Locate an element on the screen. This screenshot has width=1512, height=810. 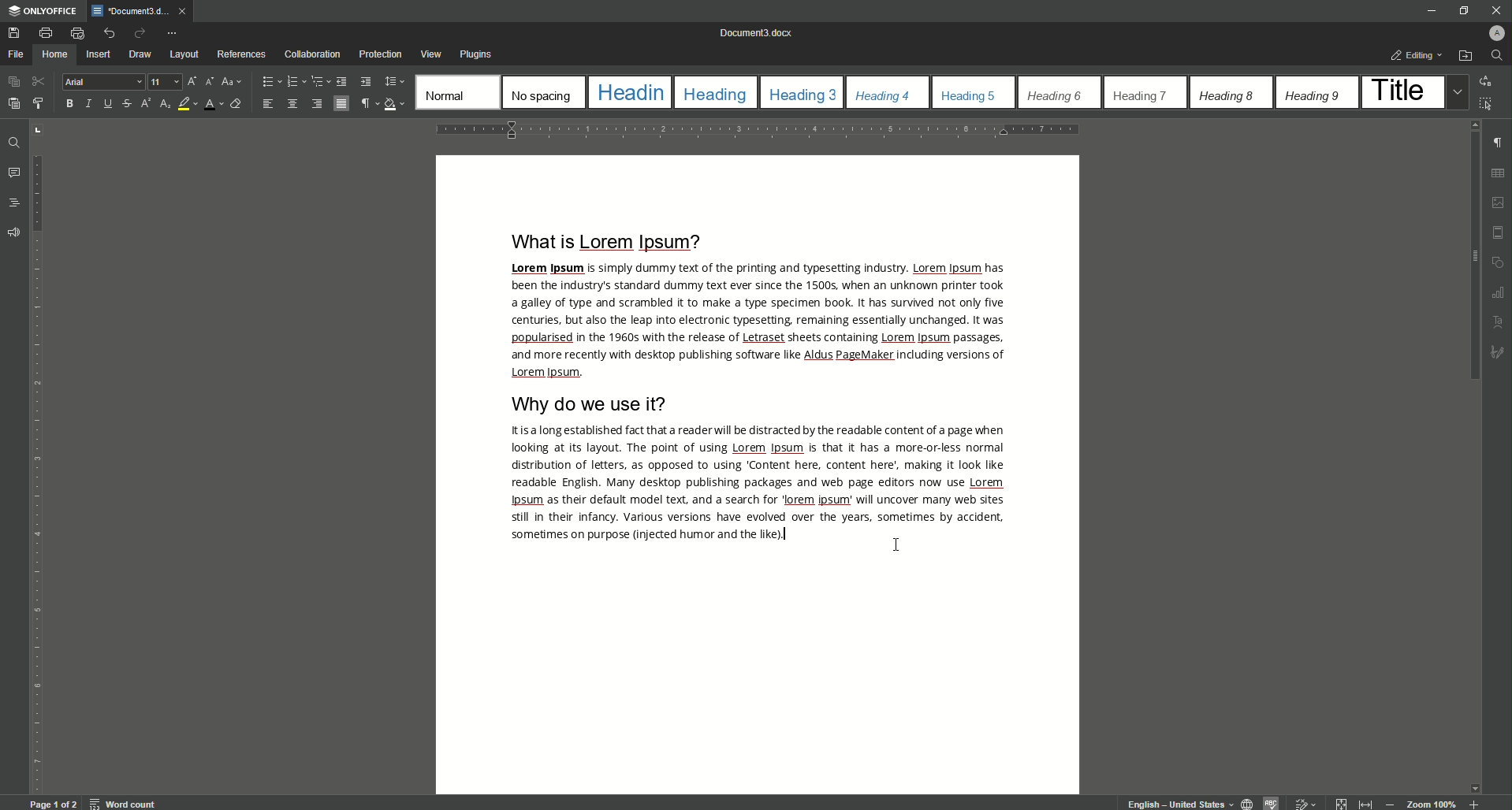
Text is located at coordinates (762, 483).